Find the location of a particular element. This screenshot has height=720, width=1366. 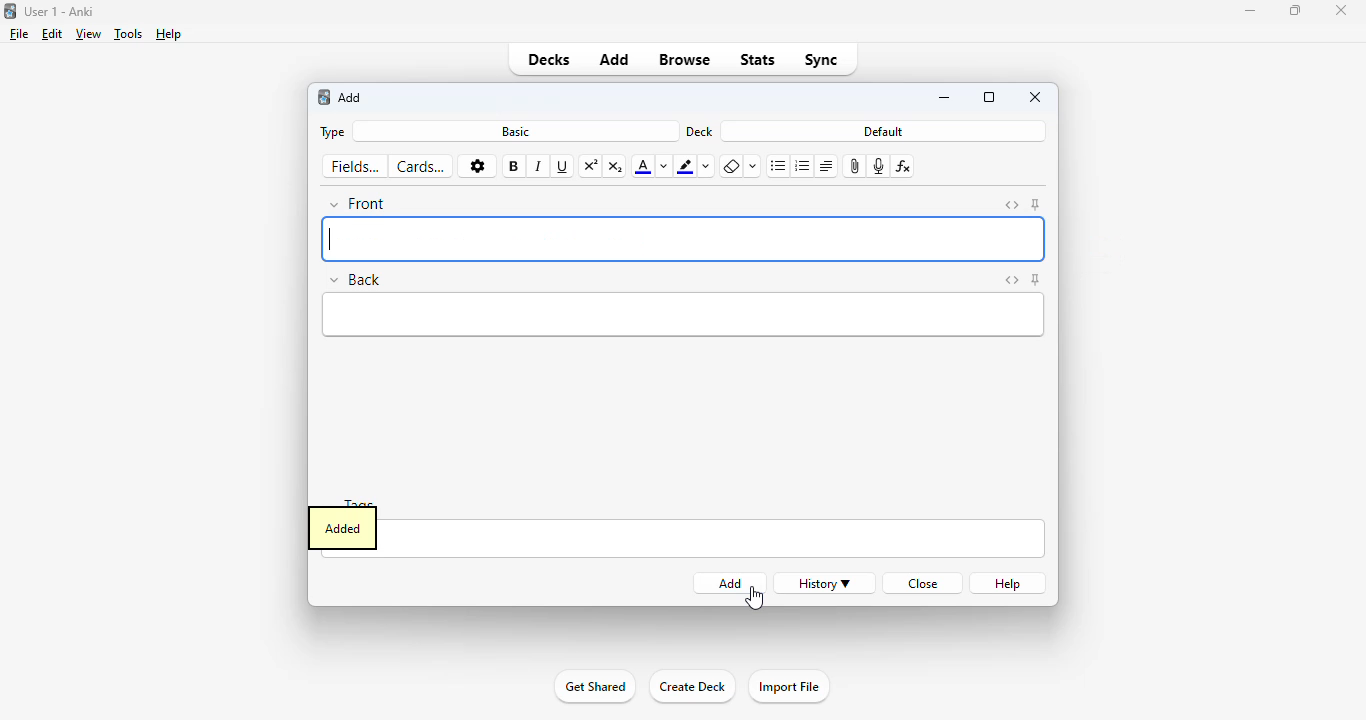

browse is located at coordinates (683, 60).